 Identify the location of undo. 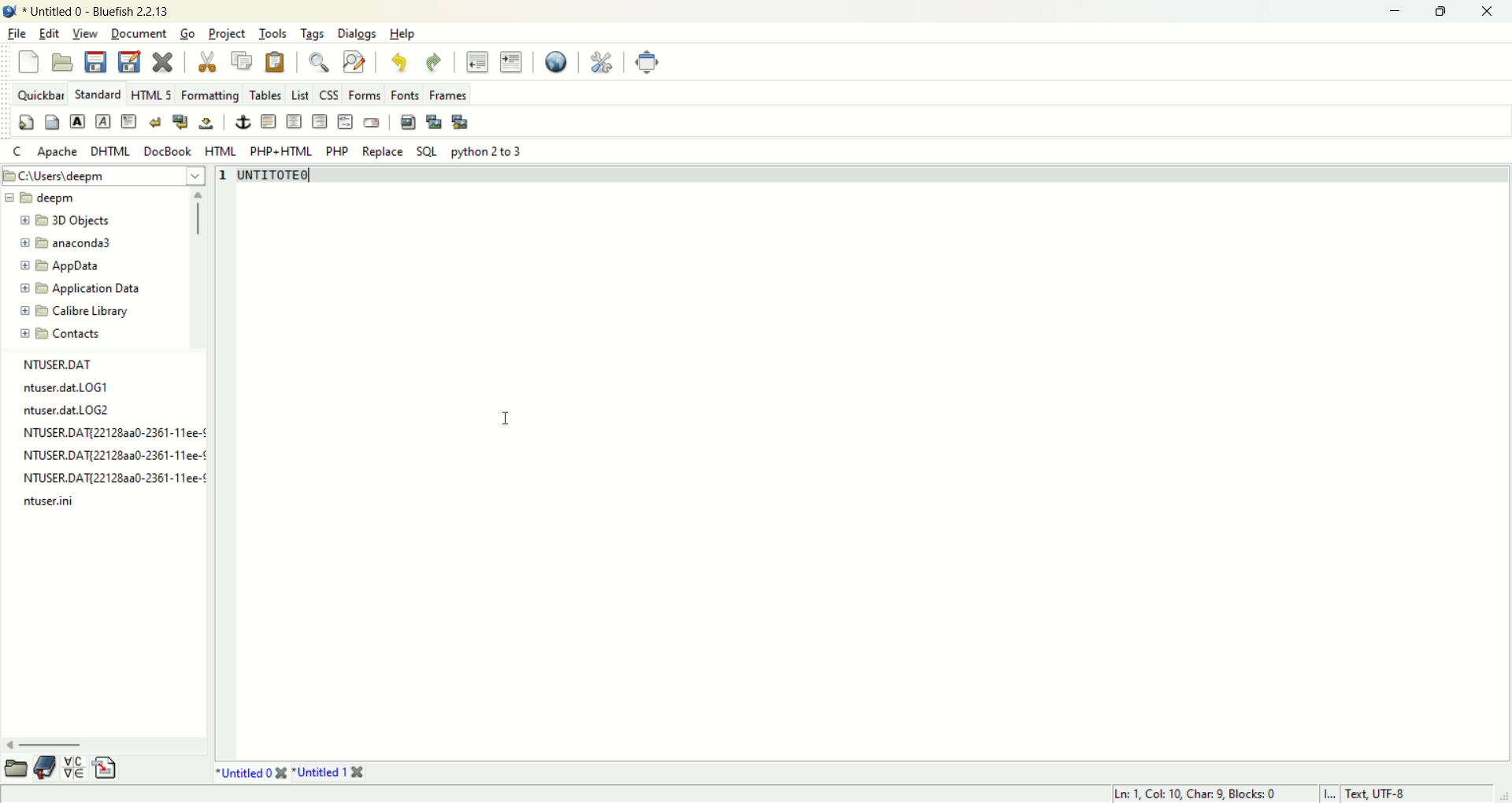
(400, 63).